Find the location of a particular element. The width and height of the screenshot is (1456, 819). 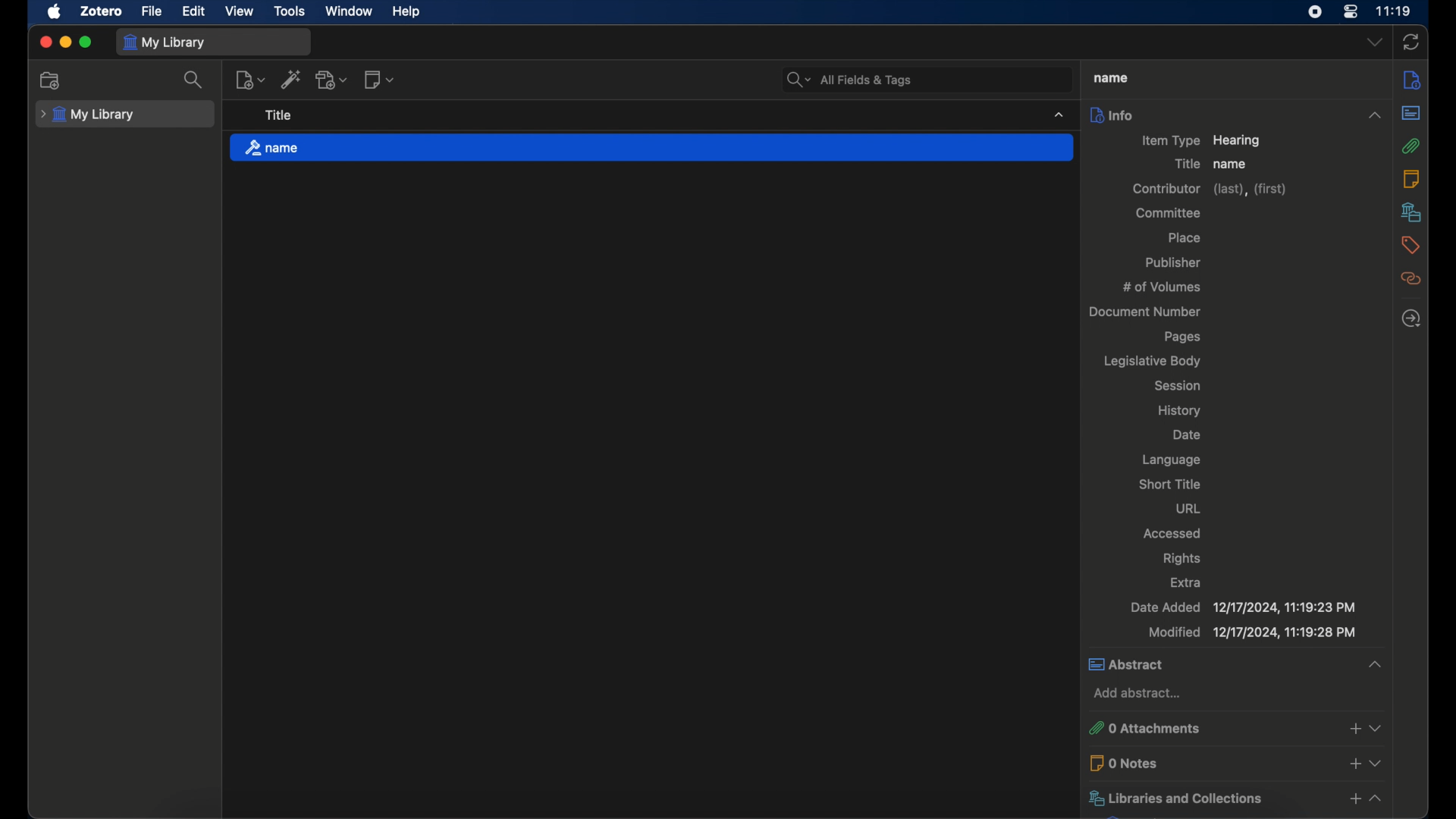

pages is located at coordinates (1184, 337).